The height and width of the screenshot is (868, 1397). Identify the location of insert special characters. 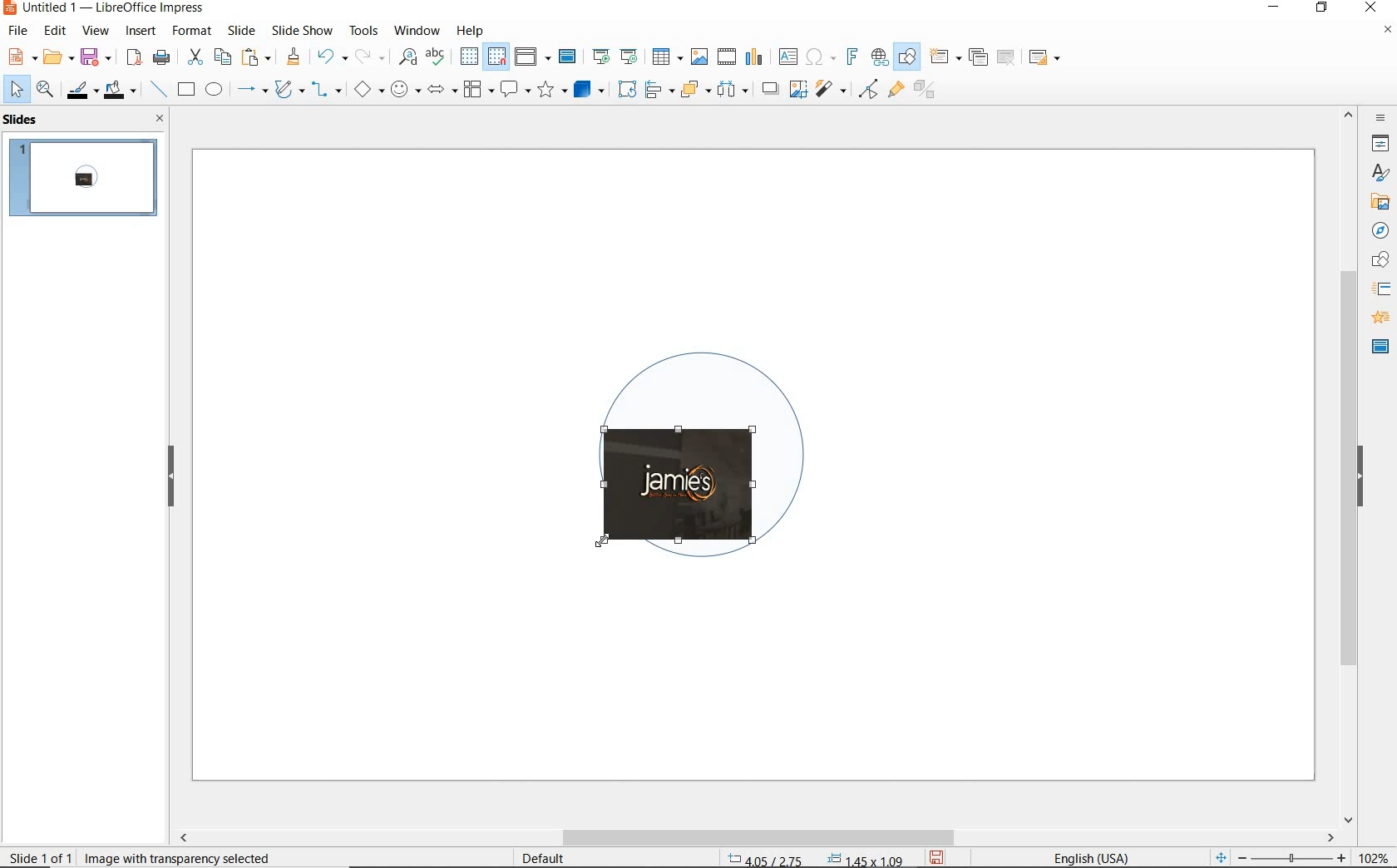
(817, 55).